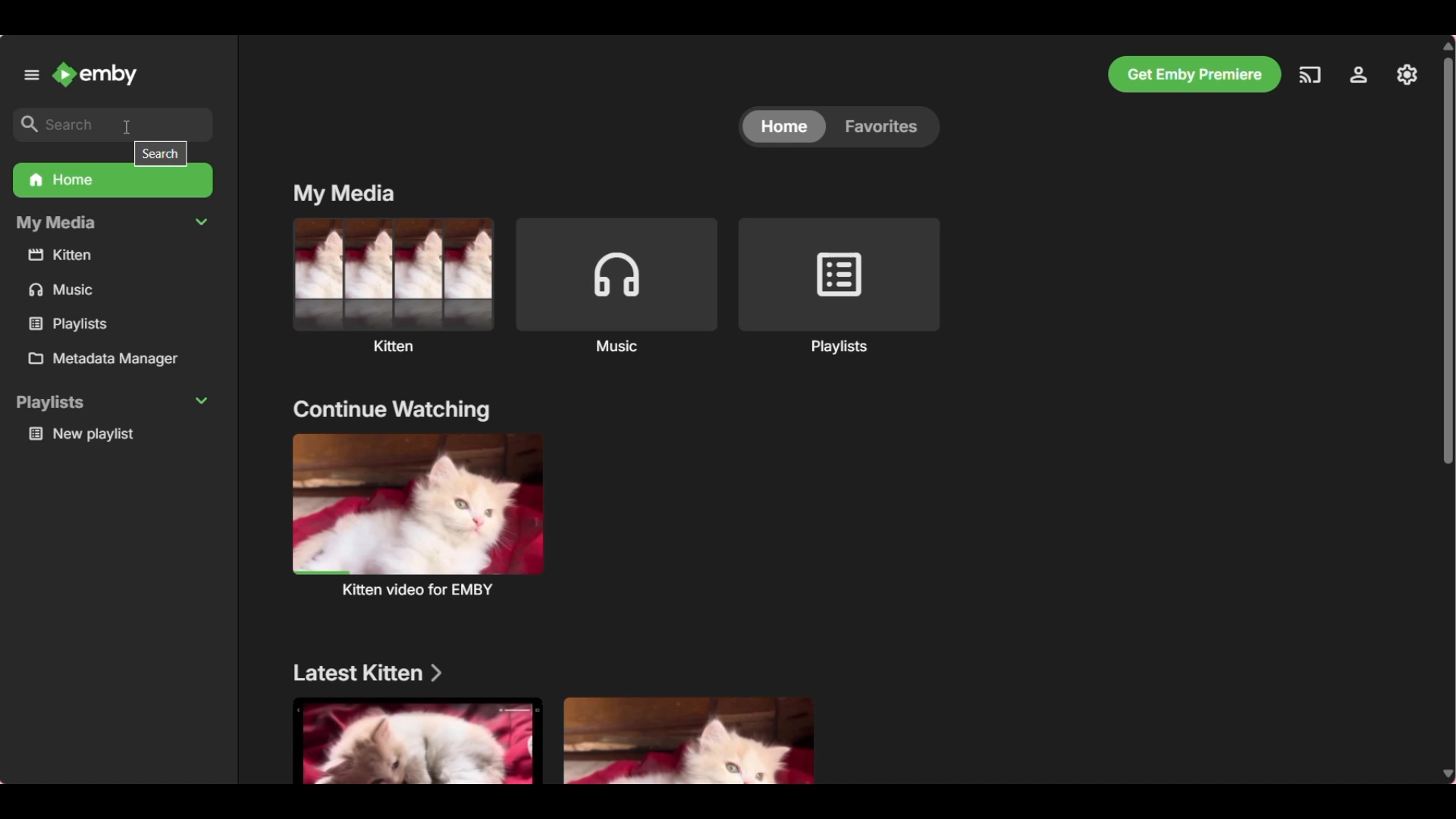 Image resolution: width=1456 pixels, height=819 pixels. Describe the element at coordinates (1310, 75) in the screenshot. I see `Play on another device` at that location.